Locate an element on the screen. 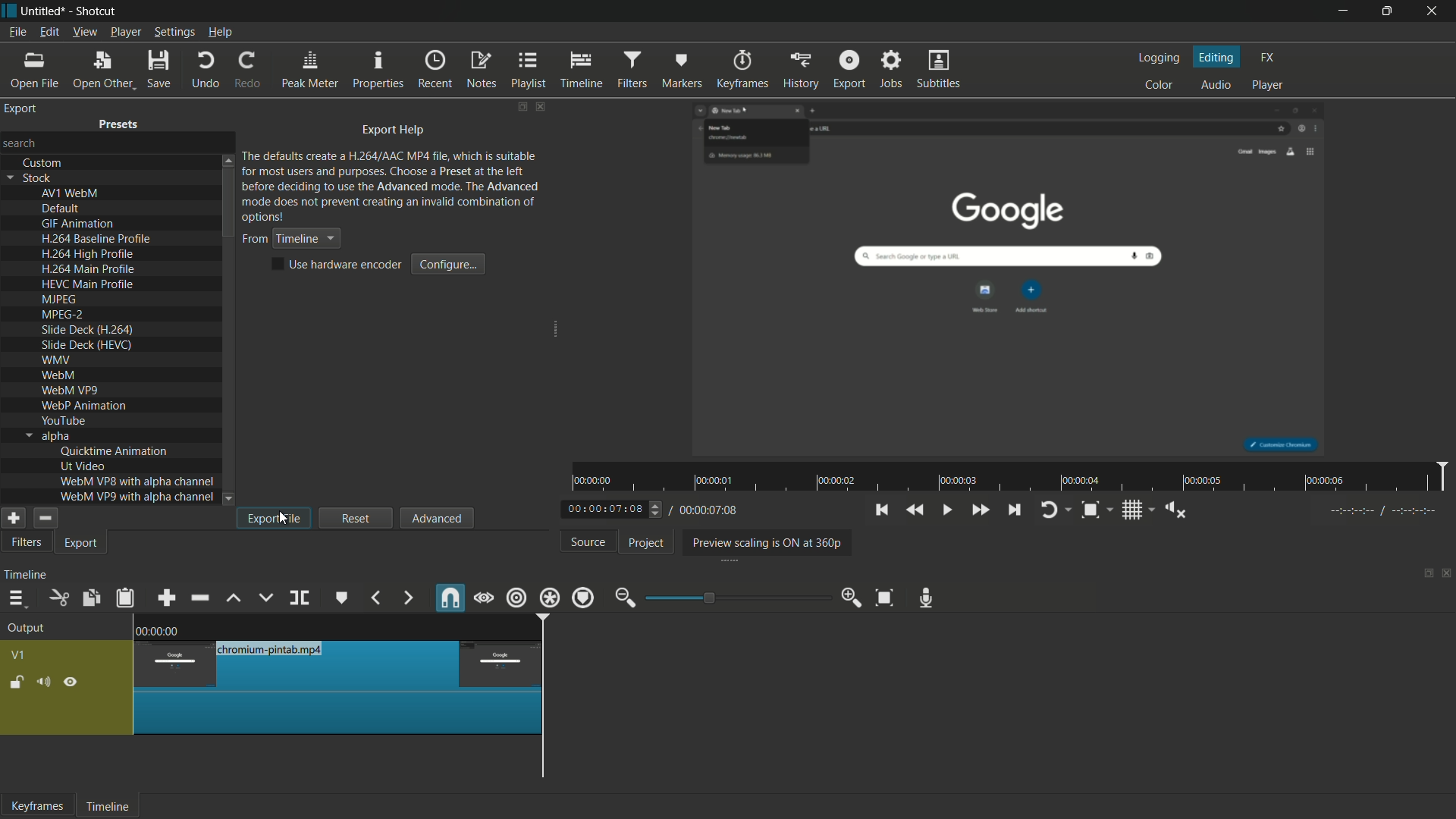 The height and width of the screenshot is (819, 1456). keyframes is located at coordinates (37, 805).